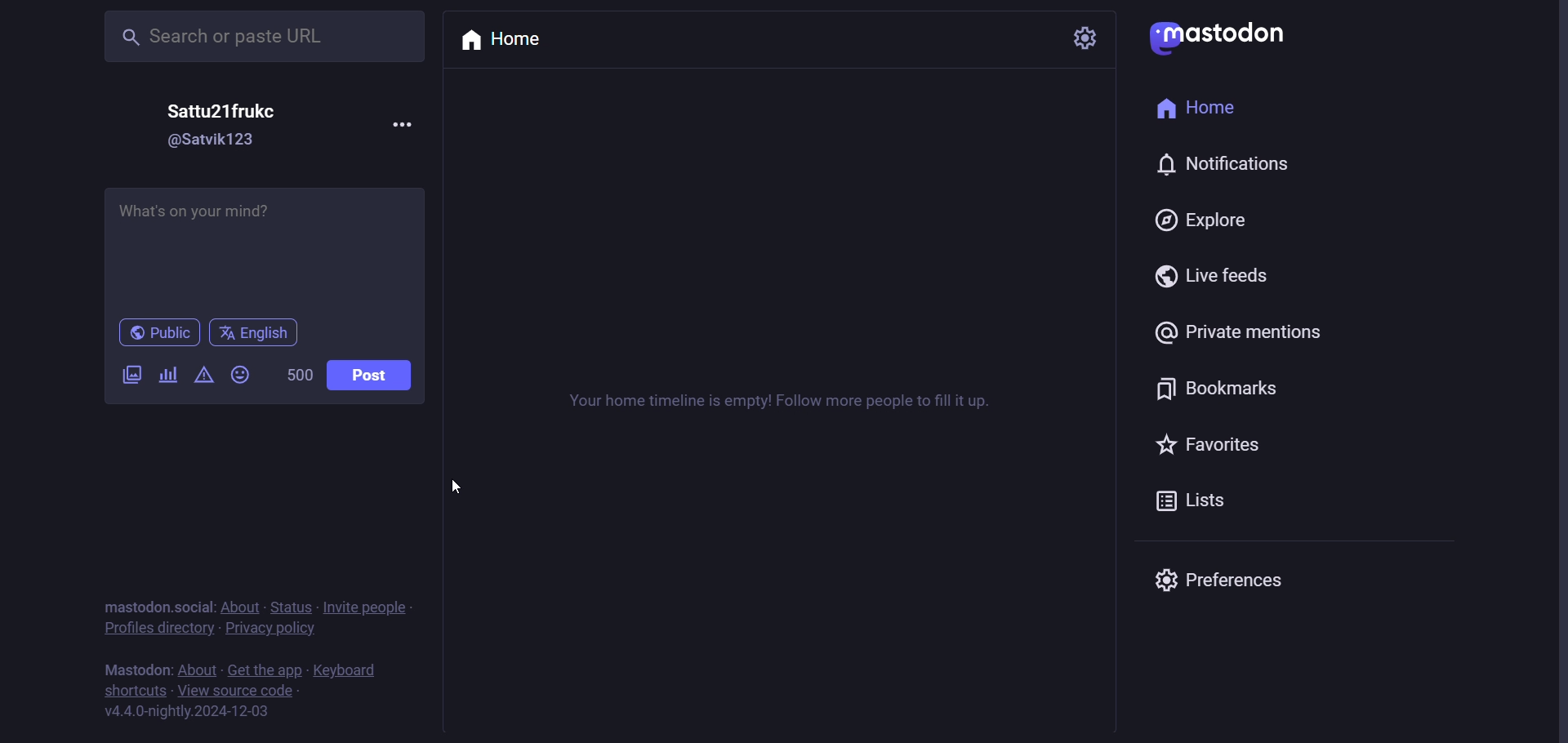 This screenshot has height=743, width=1568. I want to click on view source code, so click(238, 692).